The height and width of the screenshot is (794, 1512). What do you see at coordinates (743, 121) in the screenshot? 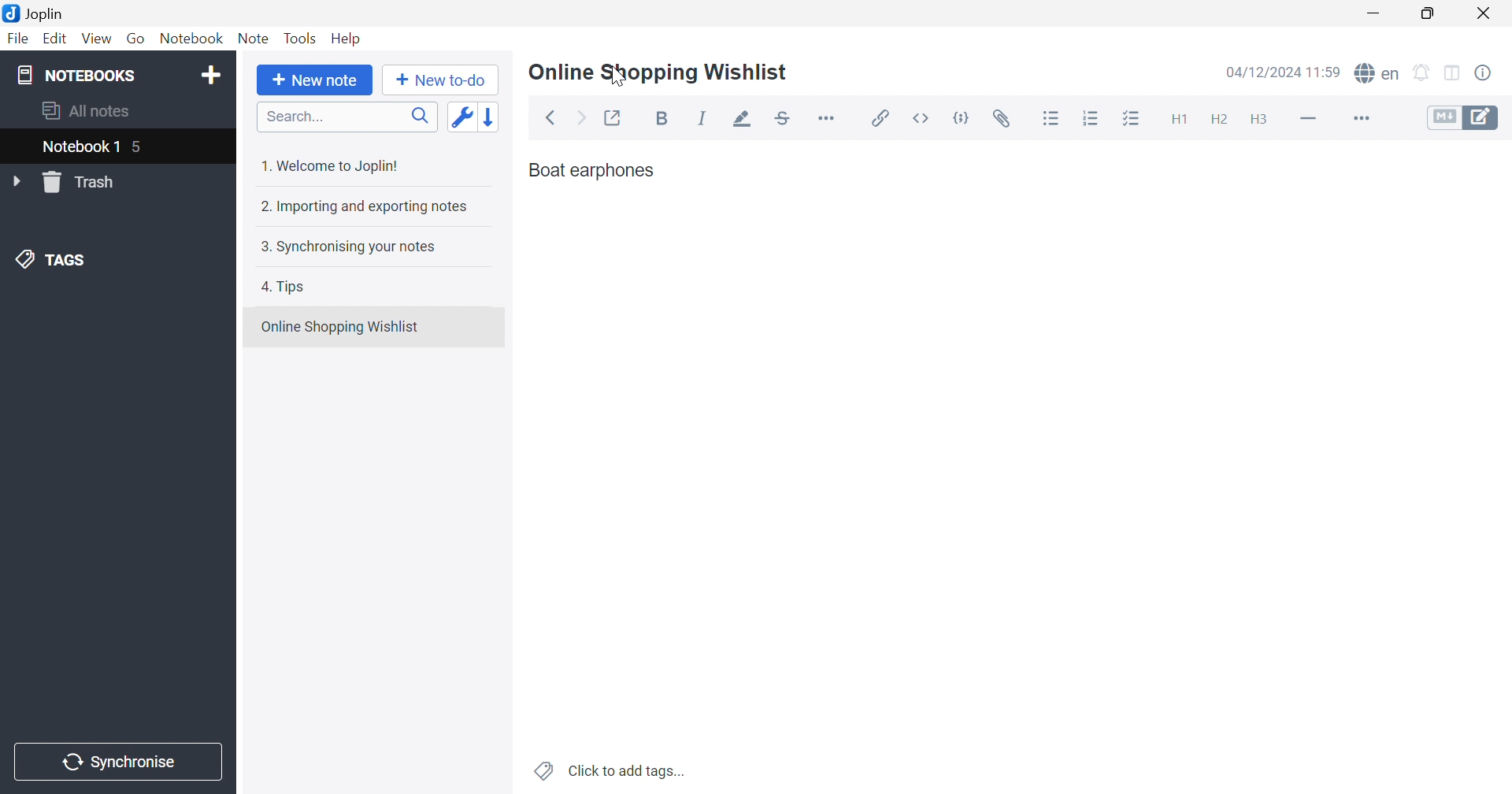
I see `Highlight` at bounding box center [743, 121].